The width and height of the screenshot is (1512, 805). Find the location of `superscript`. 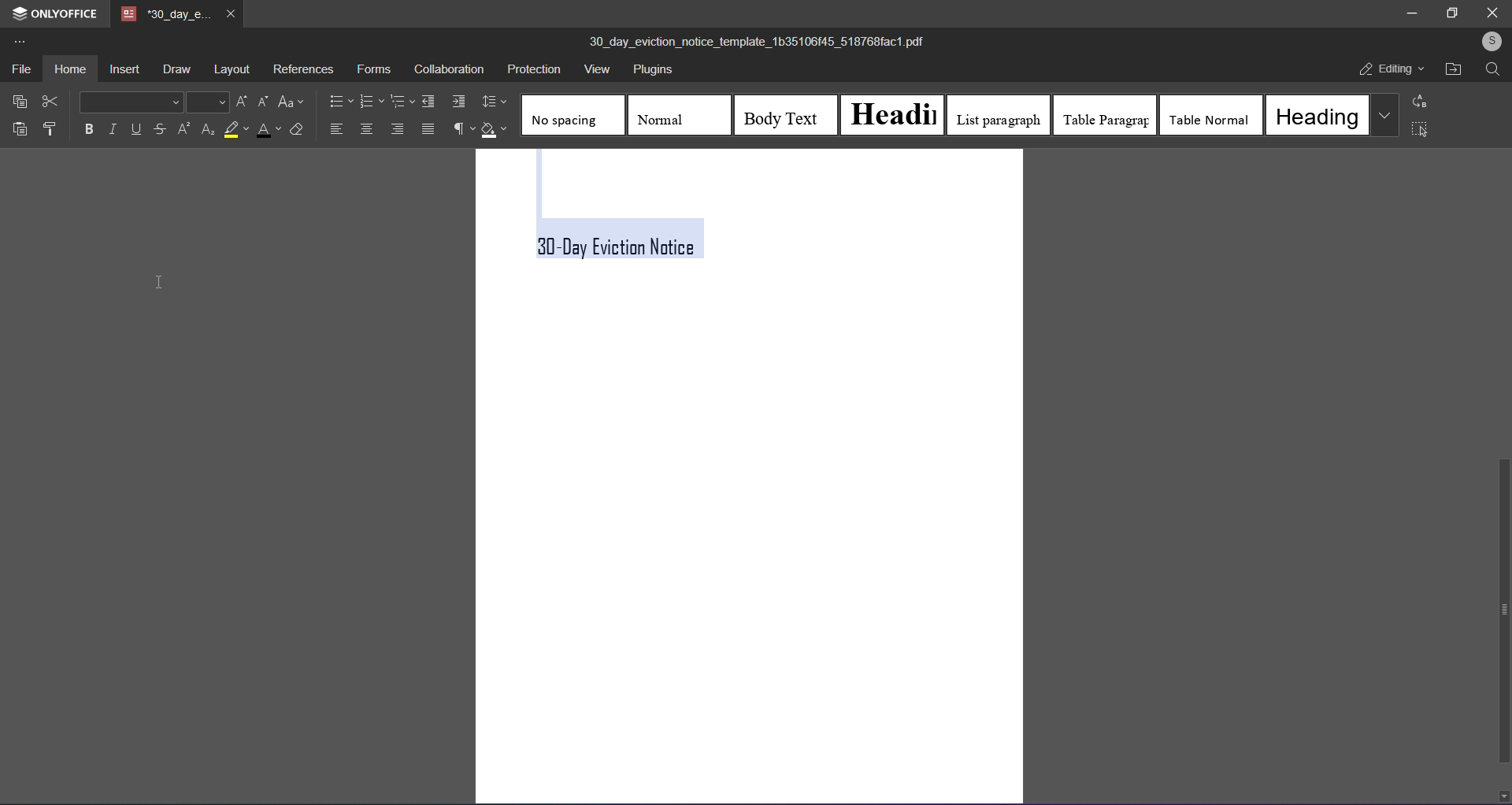

superscript is located at coordinates (183, 129).